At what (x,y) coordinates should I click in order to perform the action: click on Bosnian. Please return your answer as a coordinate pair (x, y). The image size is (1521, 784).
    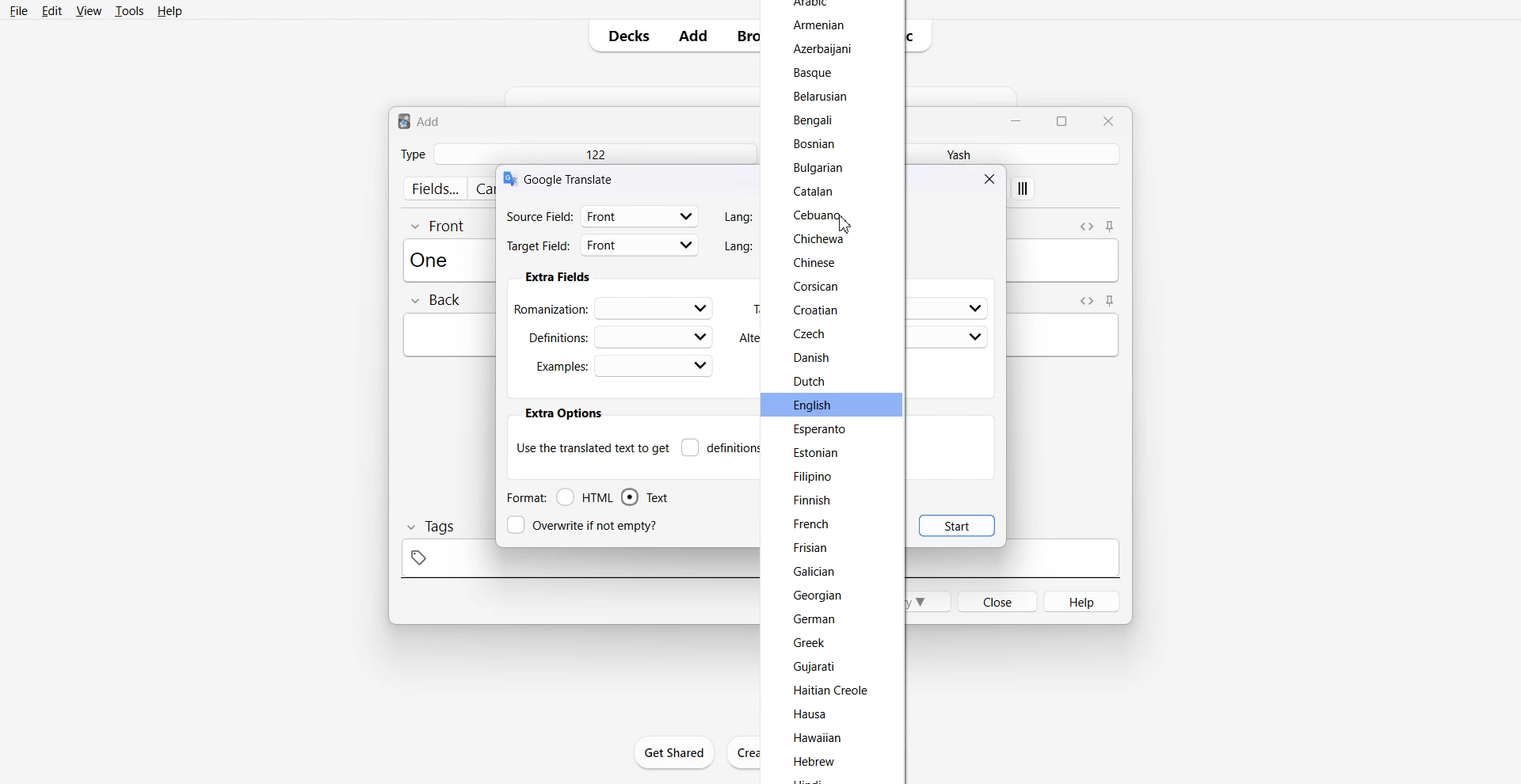
    Looking at the image, I should click on (817, 146).